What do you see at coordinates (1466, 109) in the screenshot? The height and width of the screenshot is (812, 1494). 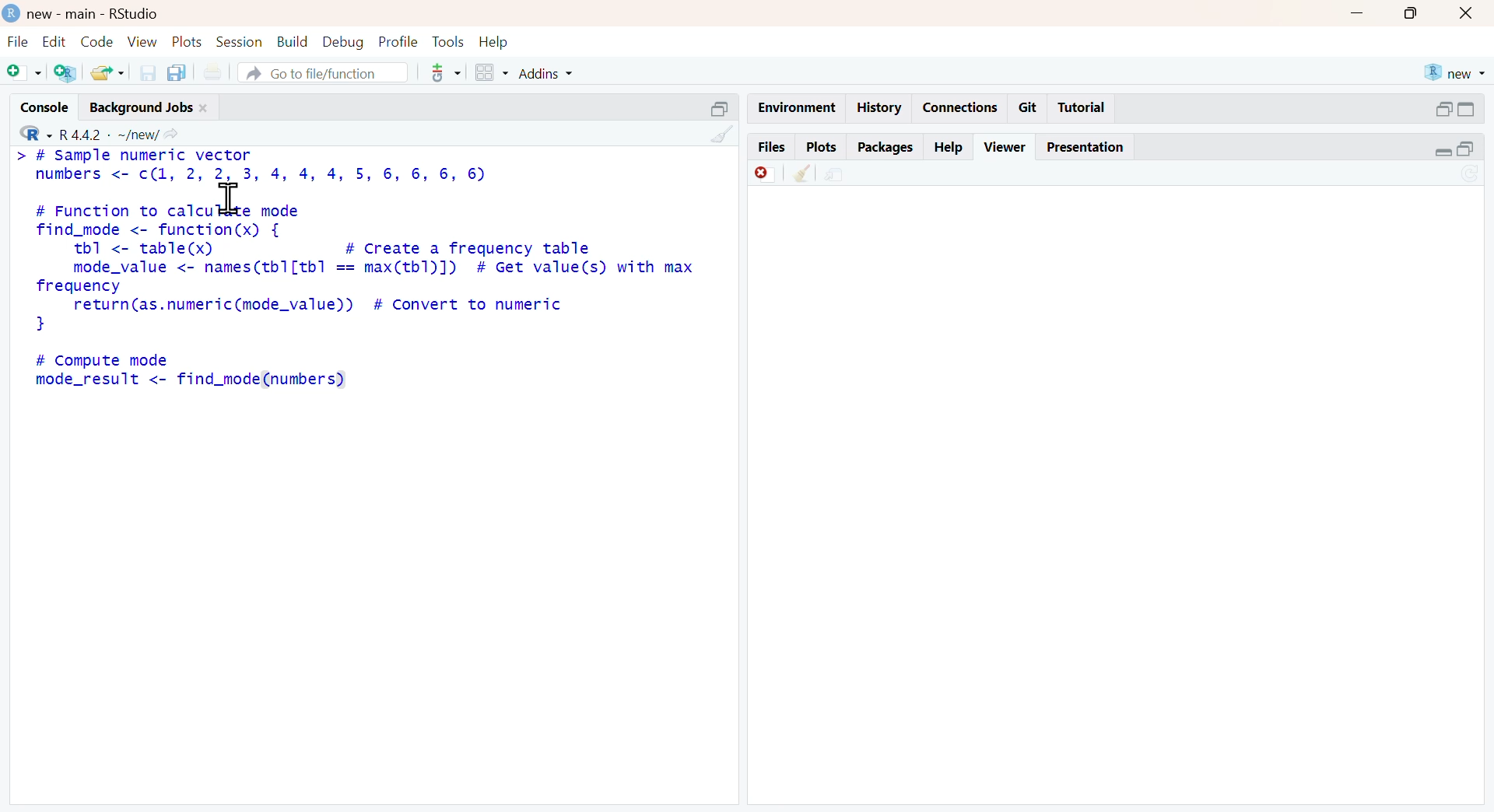 I see `expand/collapse ` at bounding box center [1466, 109].